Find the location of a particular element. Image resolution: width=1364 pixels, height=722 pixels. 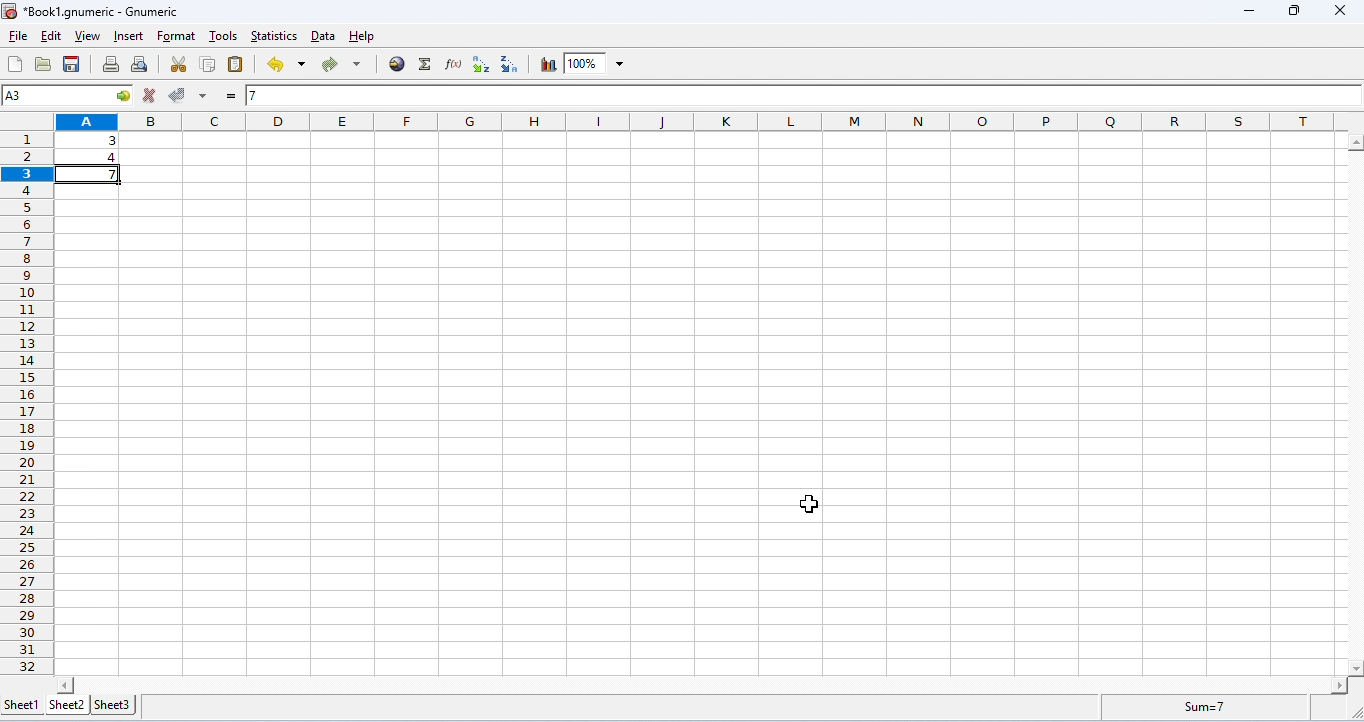

print preview is located at coordinates (140, 65).